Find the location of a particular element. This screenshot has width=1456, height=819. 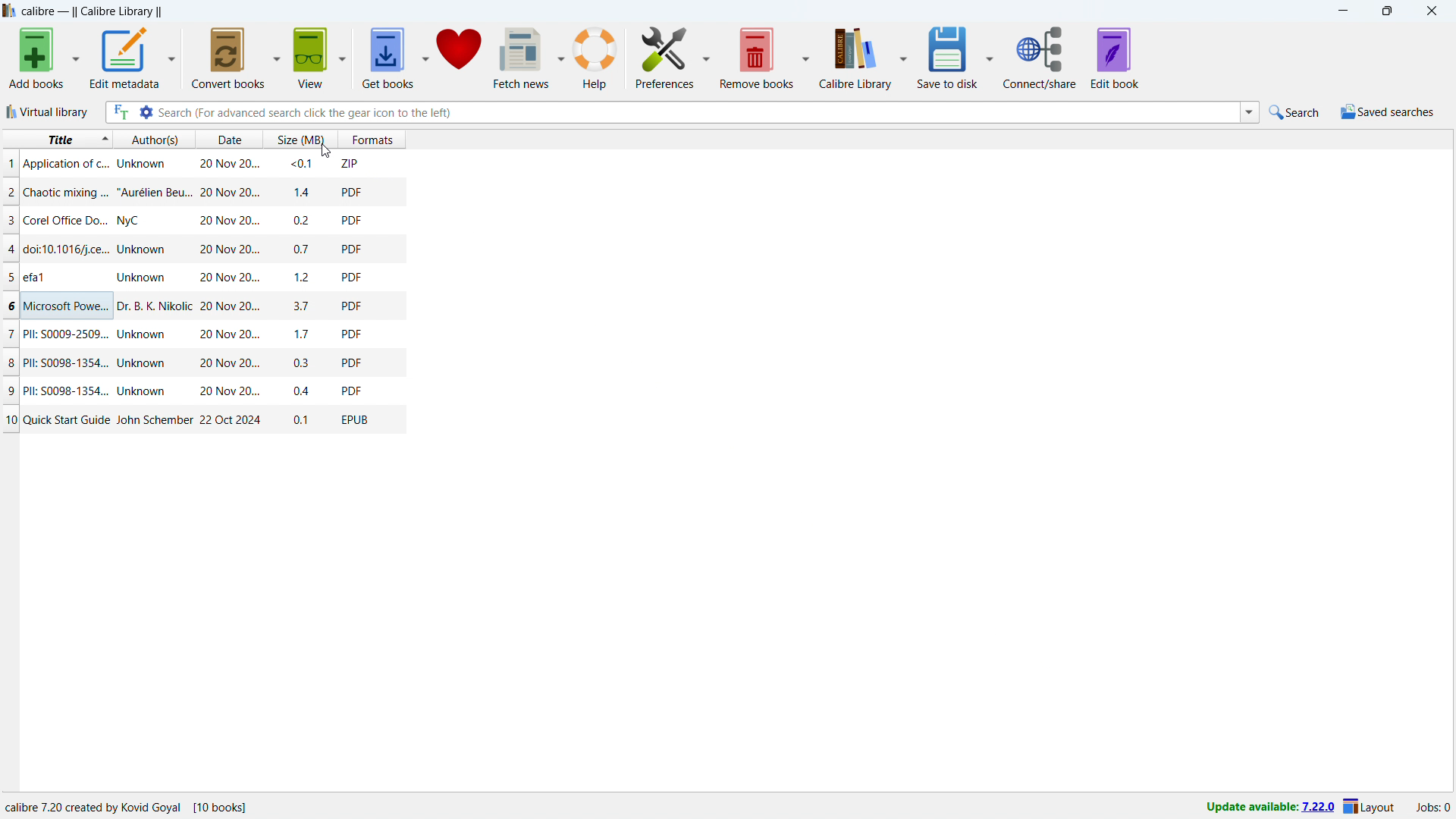

virtual library is located at coordinates (48, 112).